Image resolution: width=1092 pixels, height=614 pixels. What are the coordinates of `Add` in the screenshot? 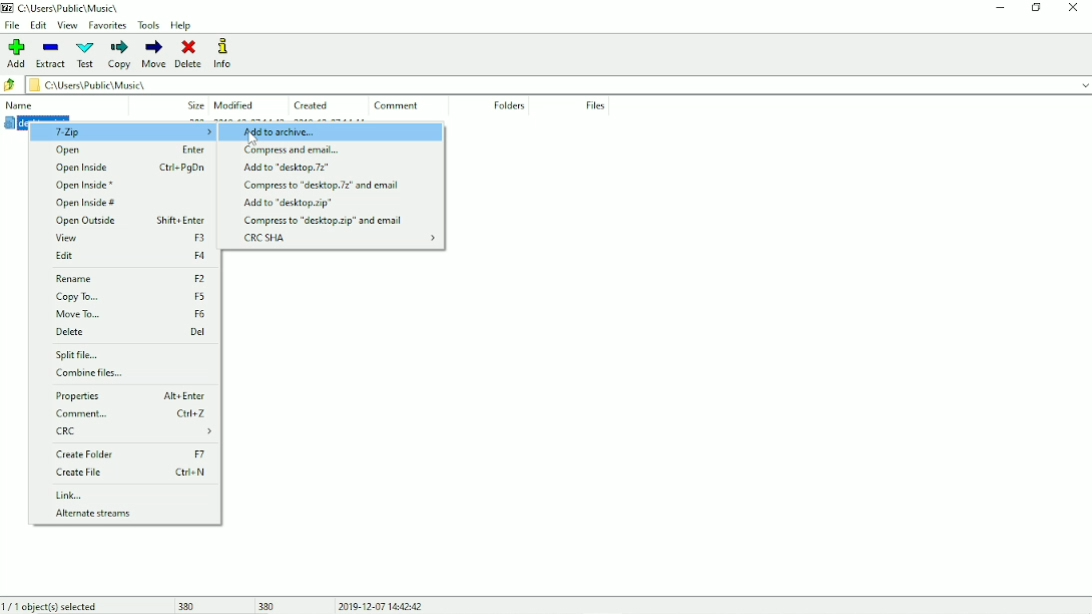 It's located at (14, 54).